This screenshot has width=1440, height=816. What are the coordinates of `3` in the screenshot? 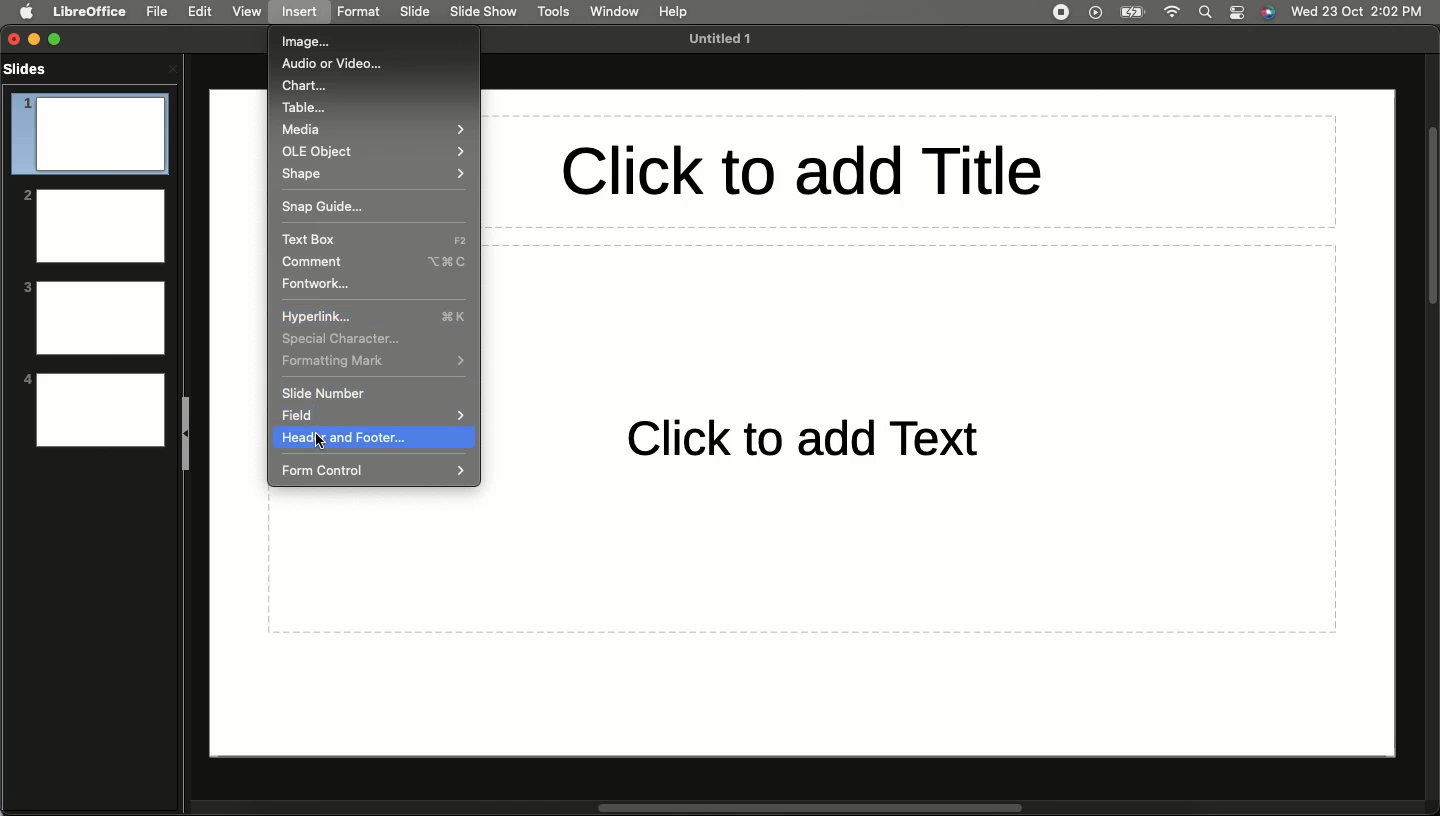 It's located at (93, 317).